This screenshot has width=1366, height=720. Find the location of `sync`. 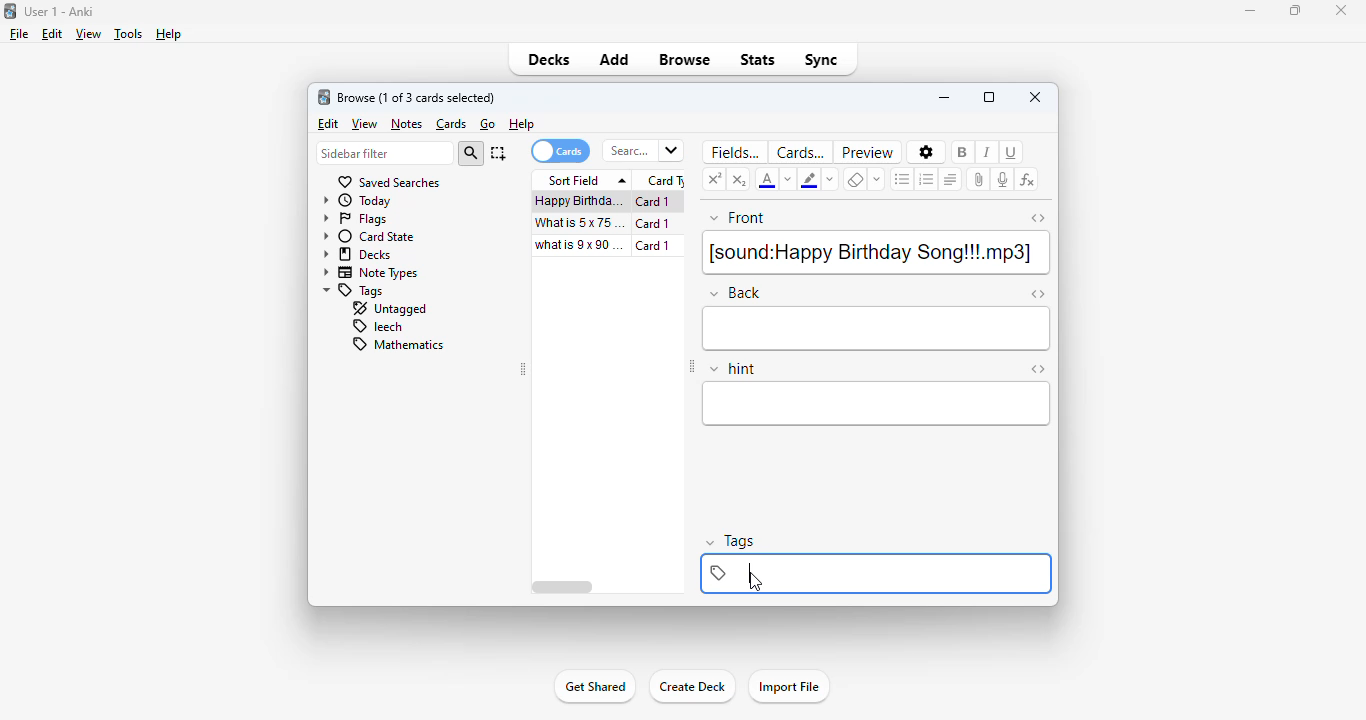

sync is located at coordinates (821, 59).